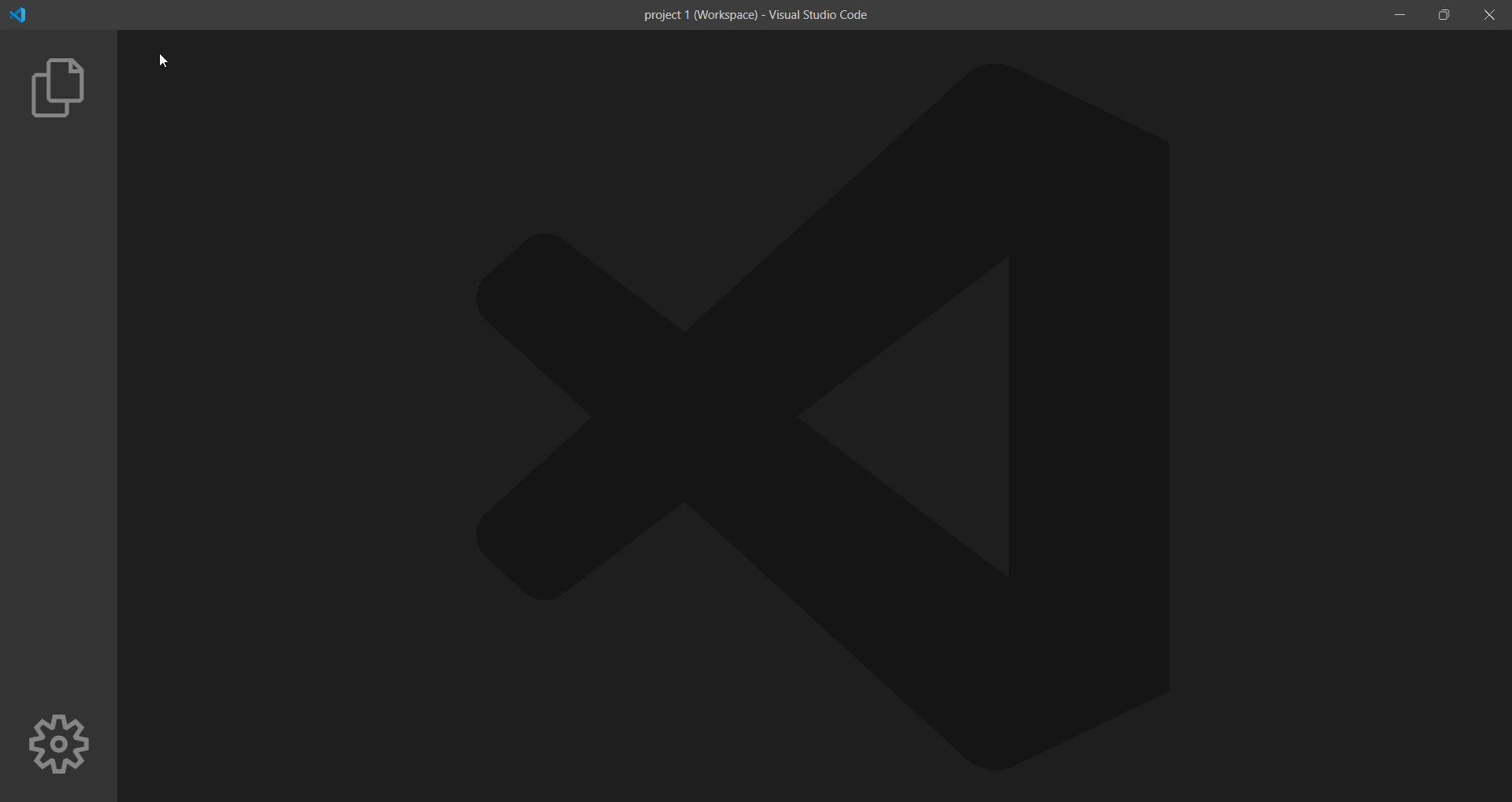 This screenshot has height=802, width=1512. What do you see at coordinates (176, 60) in the screenshot?
I see `cursor` at bounding box center [176, 60].